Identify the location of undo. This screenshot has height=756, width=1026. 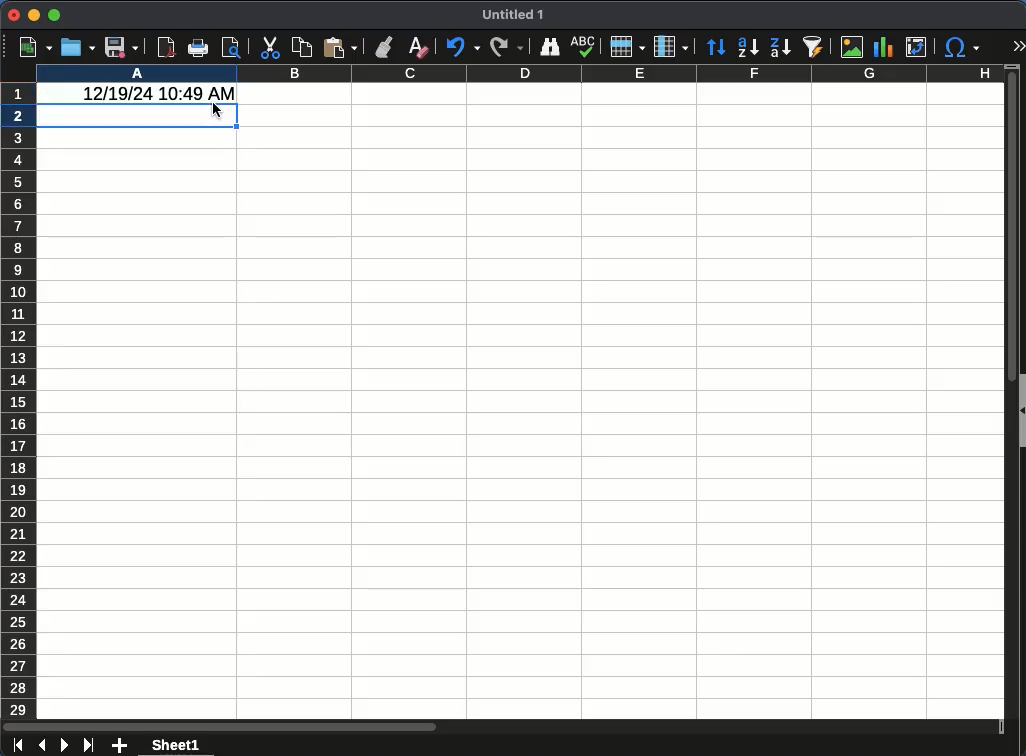
(463, 48).